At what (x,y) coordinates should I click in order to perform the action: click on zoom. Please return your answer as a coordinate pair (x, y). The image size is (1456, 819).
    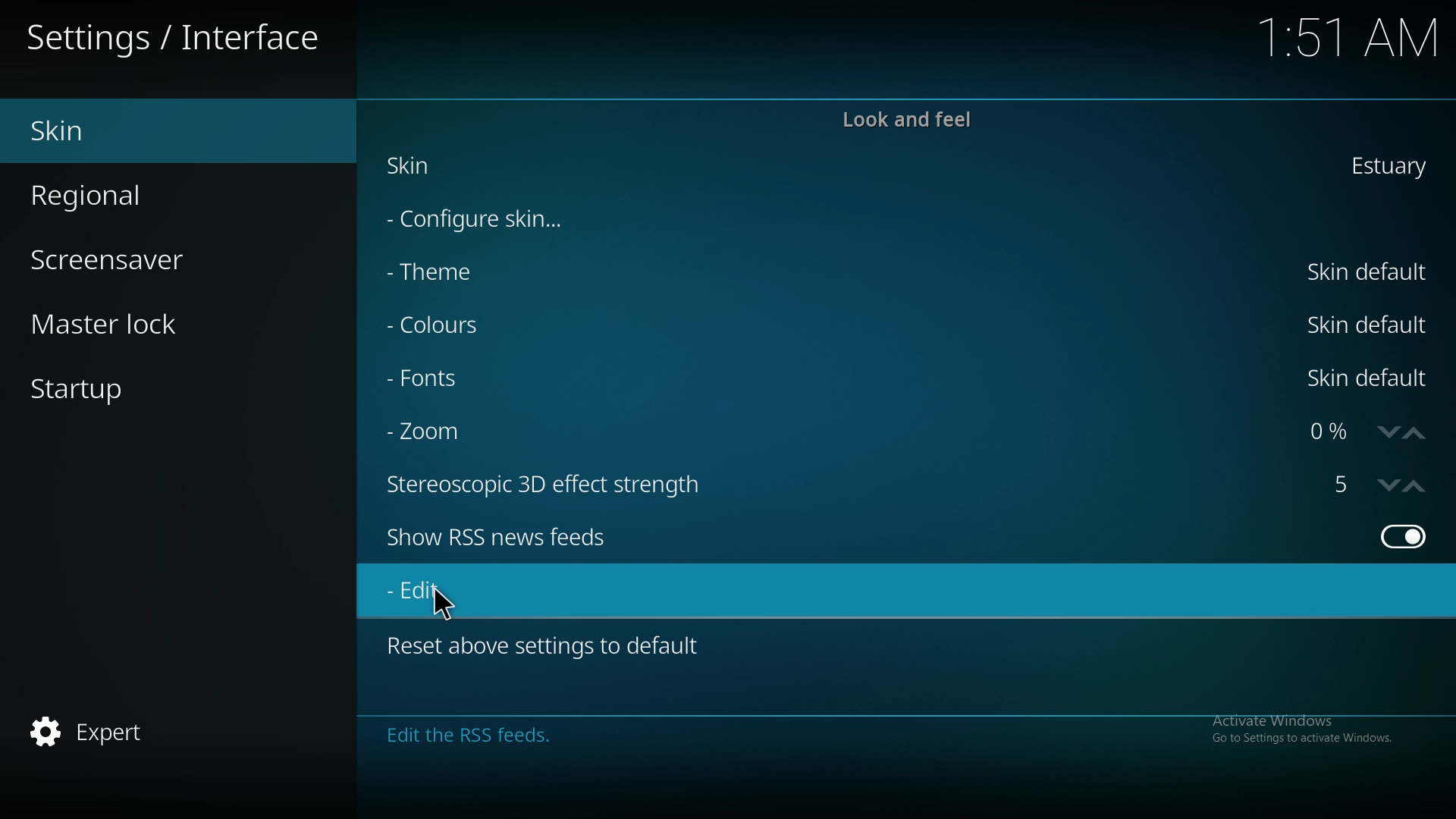
    Looking at the image, I should click on (439, 429).